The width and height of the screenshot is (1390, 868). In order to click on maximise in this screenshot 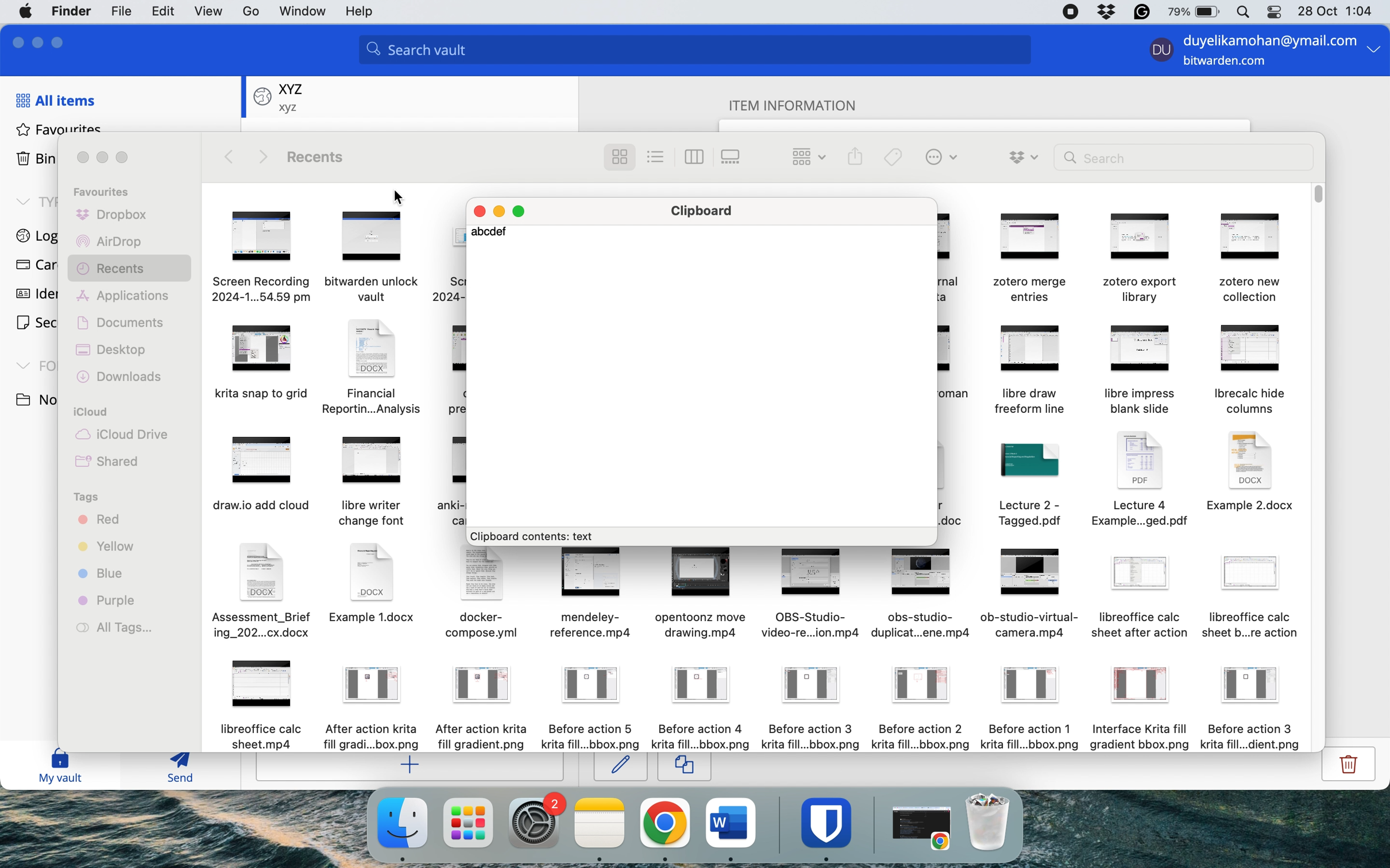, I will do `click(128, 157)`.